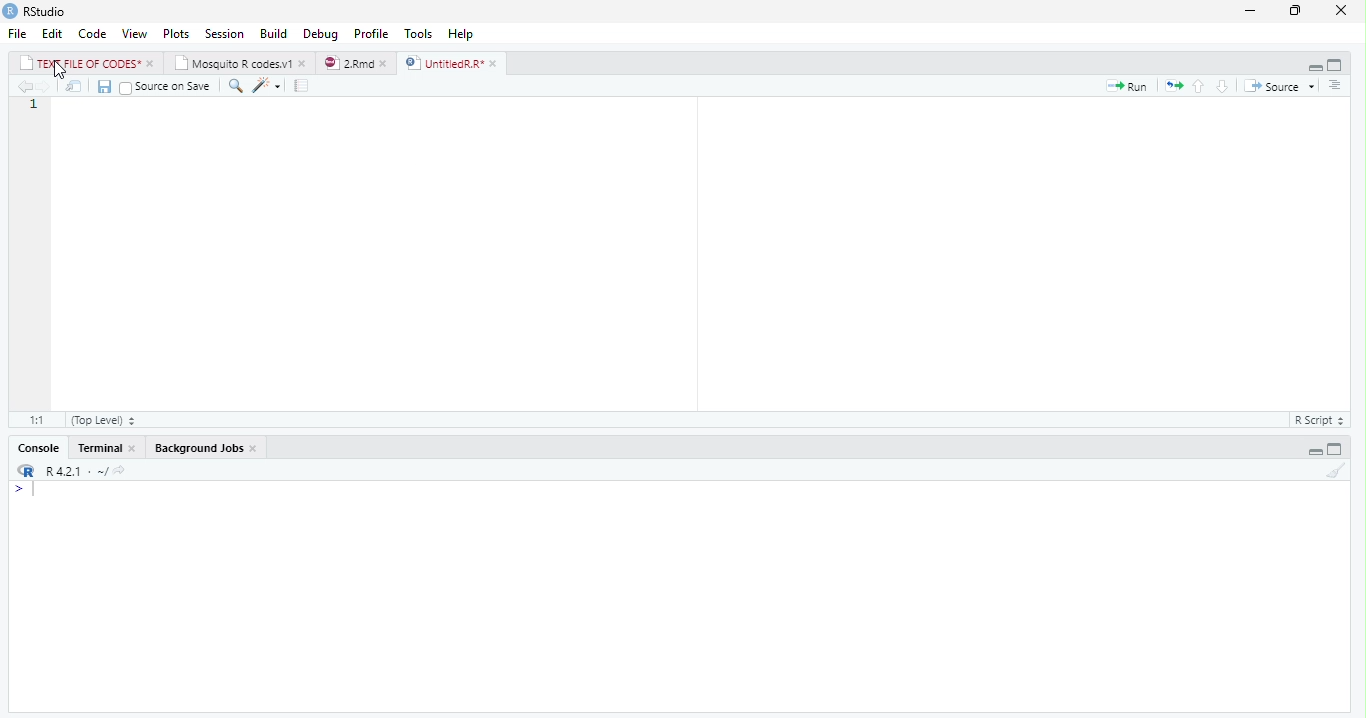 This screenshot has width=1366, height=718. I want to click on Code Tools, so click(267, 86).